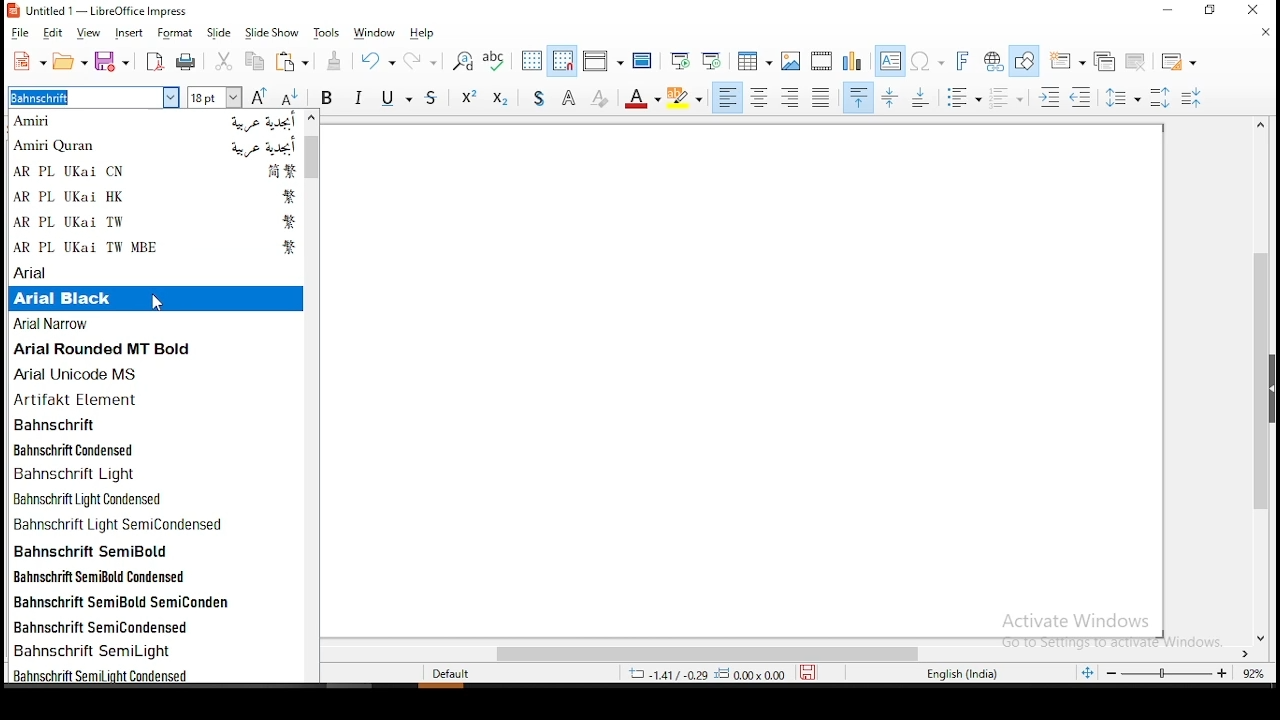 This screenshot has height=720, width=1280. Describe the element at coordinates (727, 98) in the screenshot. I see `align left` at that location.